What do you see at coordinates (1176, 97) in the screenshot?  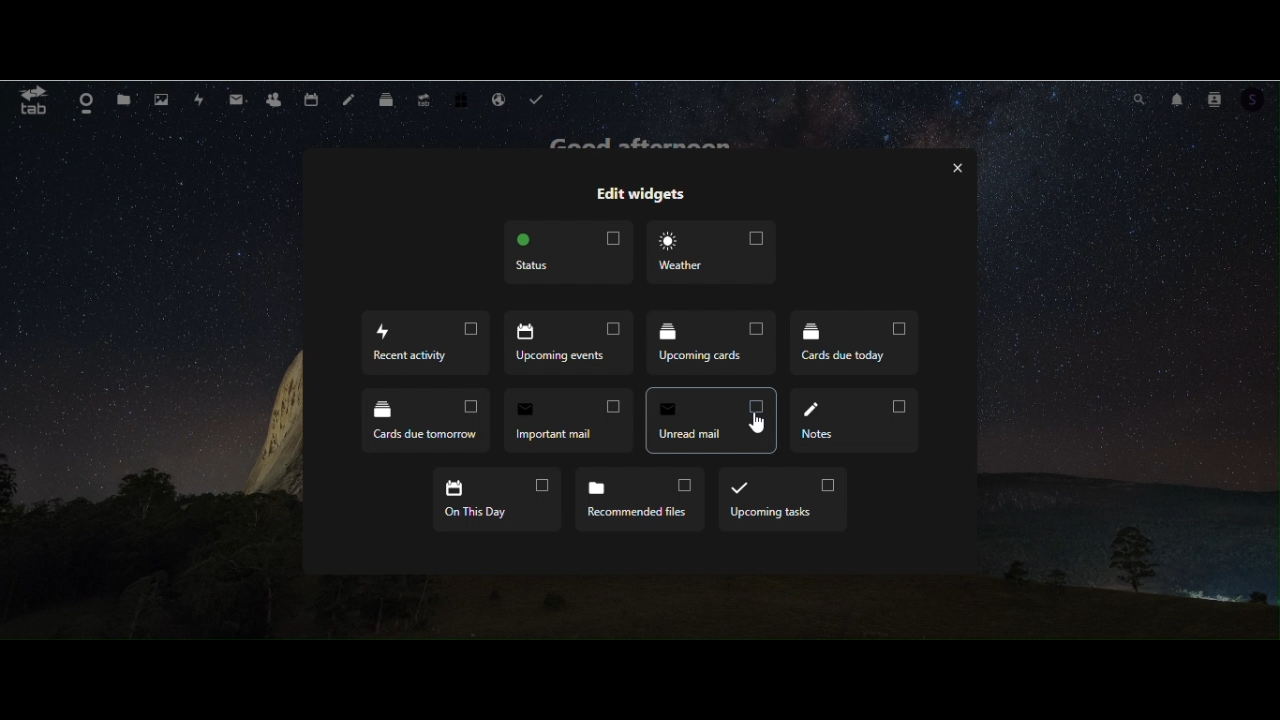 I see `notifications` at bounding box center [1176, 97].